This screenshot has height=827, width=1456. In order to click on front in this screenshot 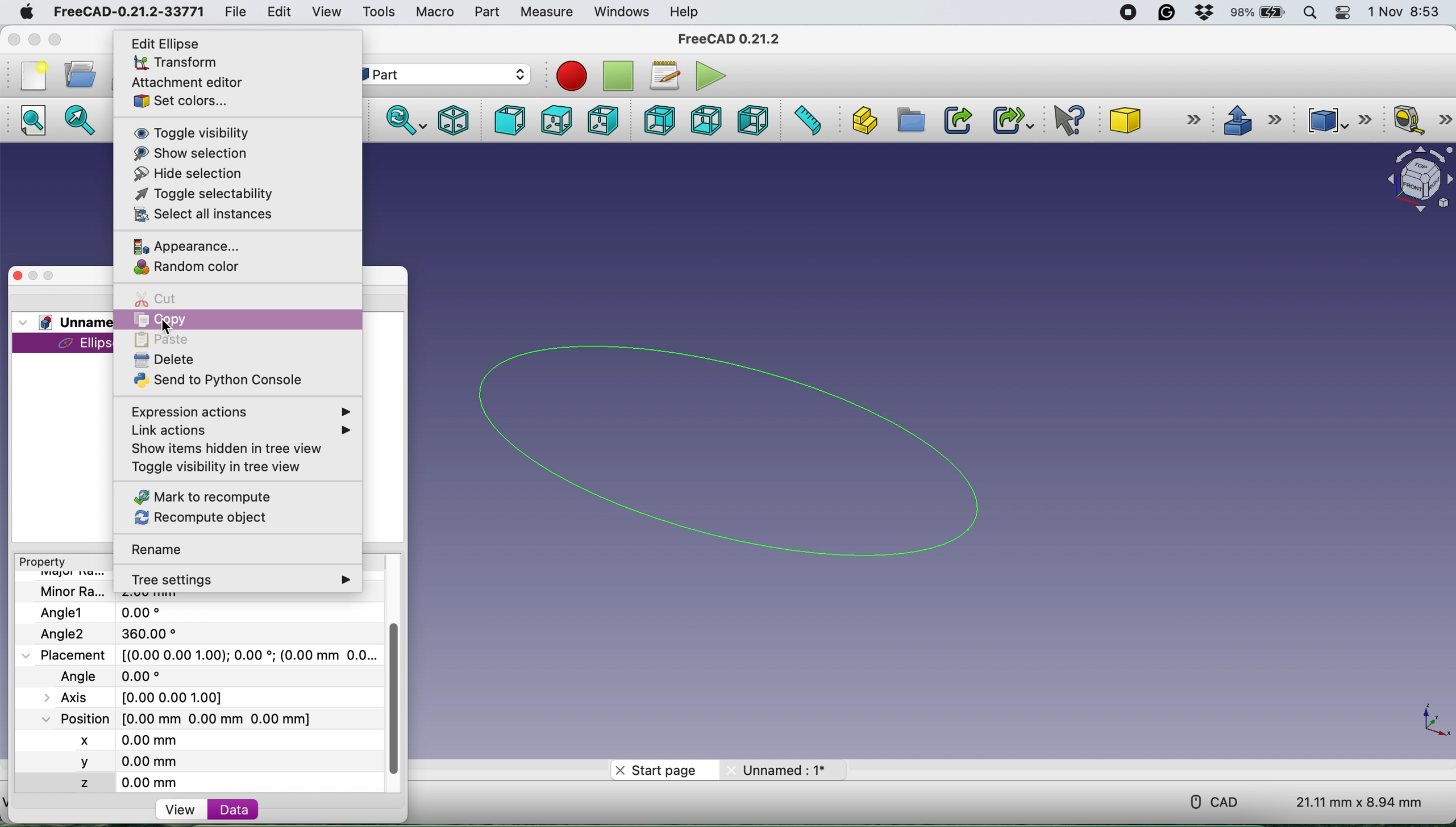, I will do `click(511, 122)`.